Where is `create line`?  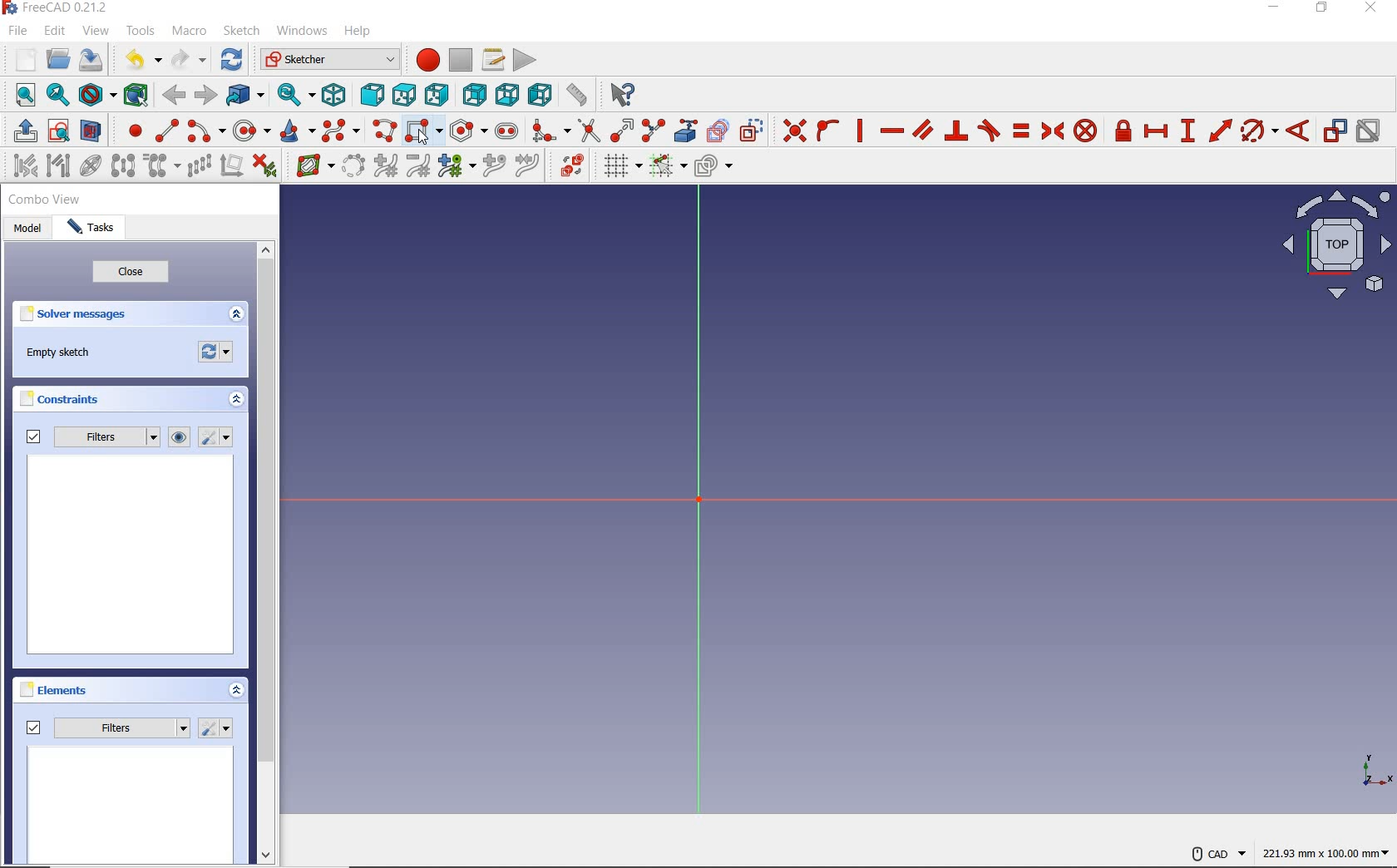
create line is located at coordinates (166, 131).